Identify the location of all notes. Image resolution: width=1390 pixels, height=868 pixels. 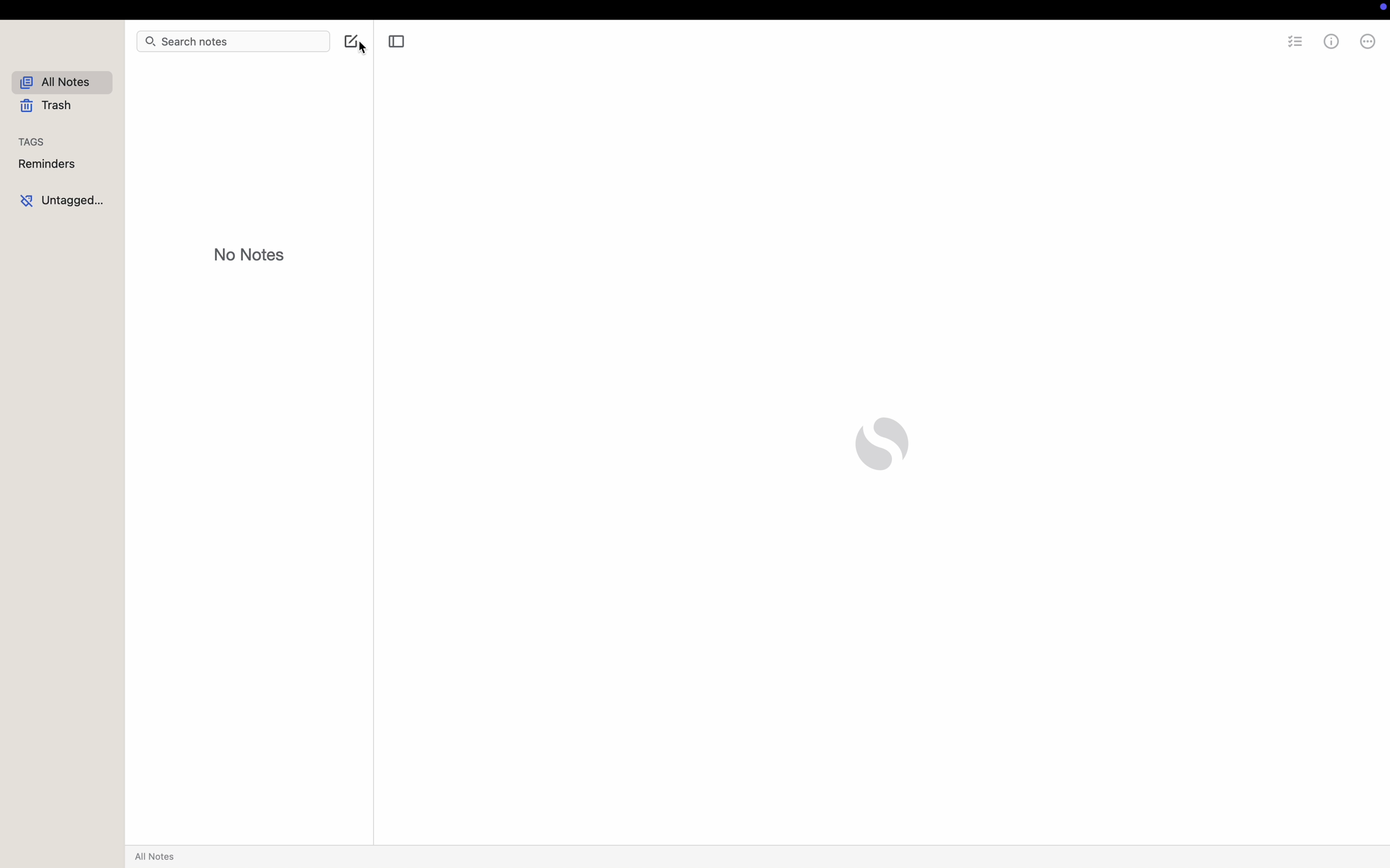
(159, 855).